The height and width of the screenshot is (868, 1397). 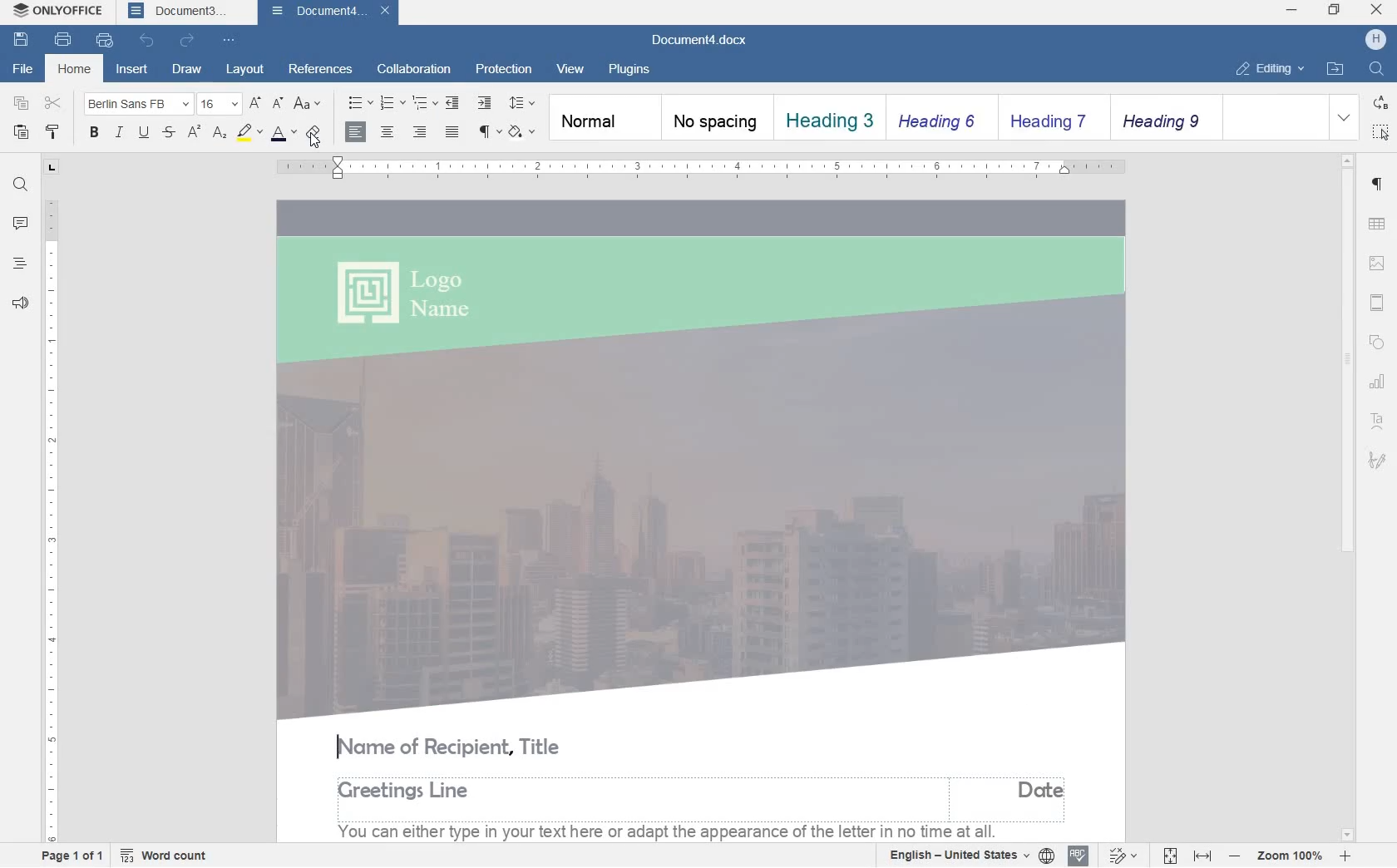 I want to click on strikethrough, so click(x=169, y=133).